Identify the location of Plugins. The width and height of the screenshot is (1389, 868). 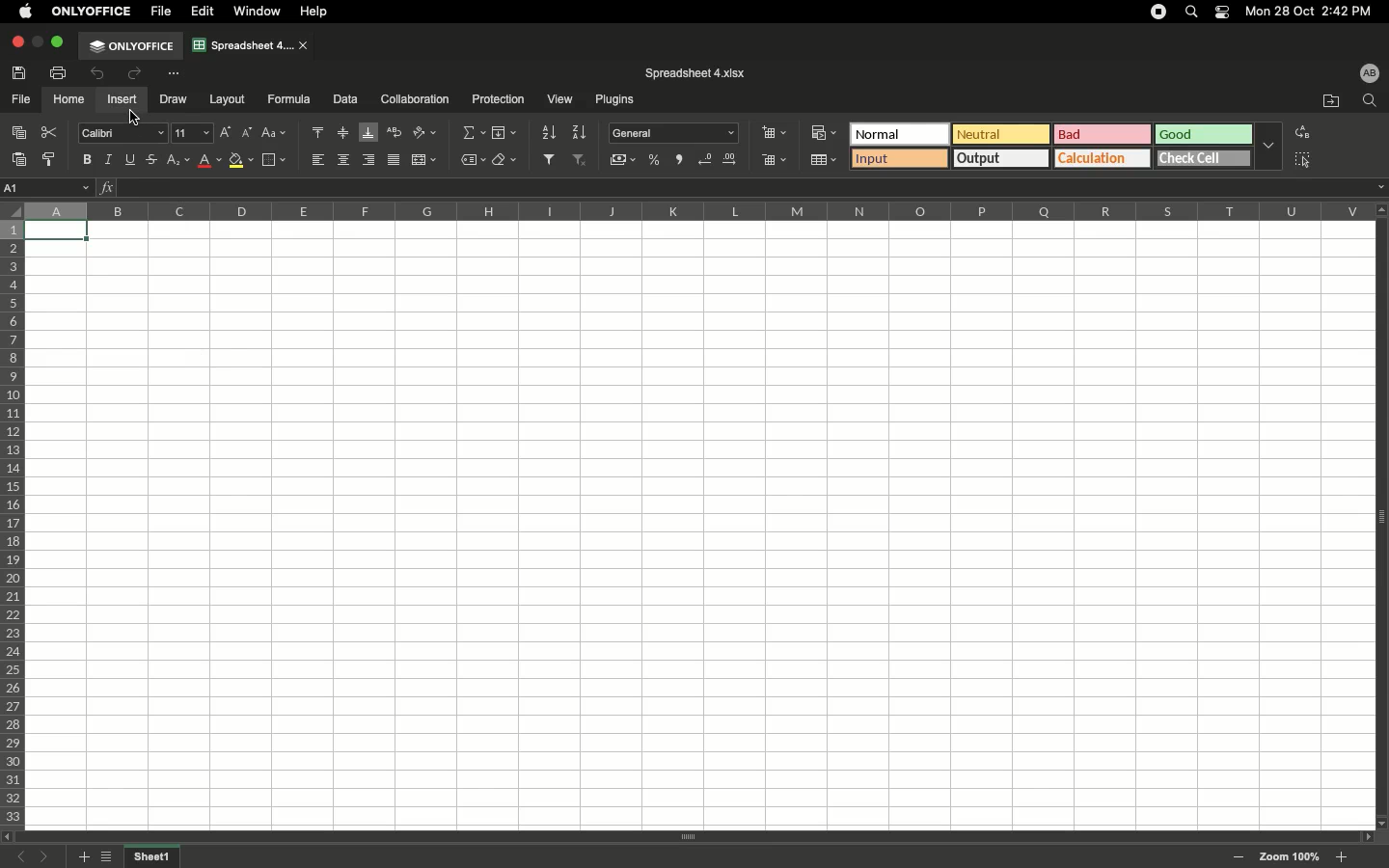
(612, 100).